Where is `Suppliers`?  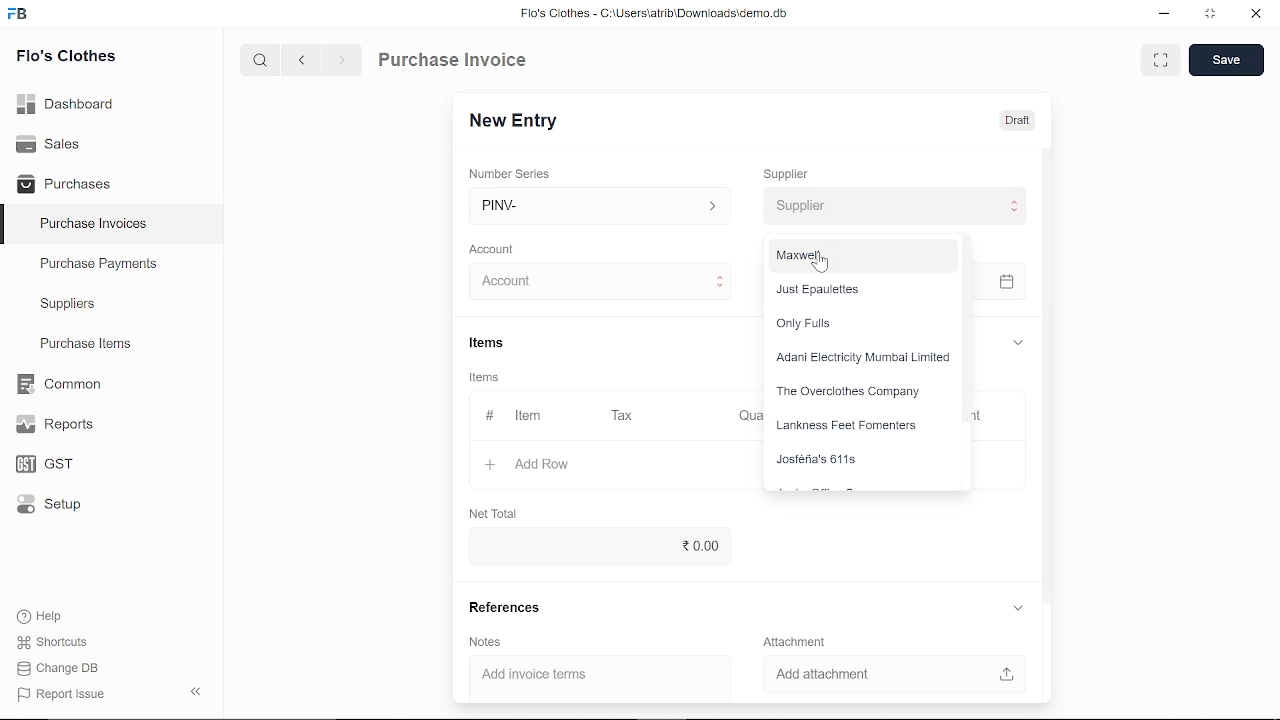 Suppliers is located at coordinates (68, 304).